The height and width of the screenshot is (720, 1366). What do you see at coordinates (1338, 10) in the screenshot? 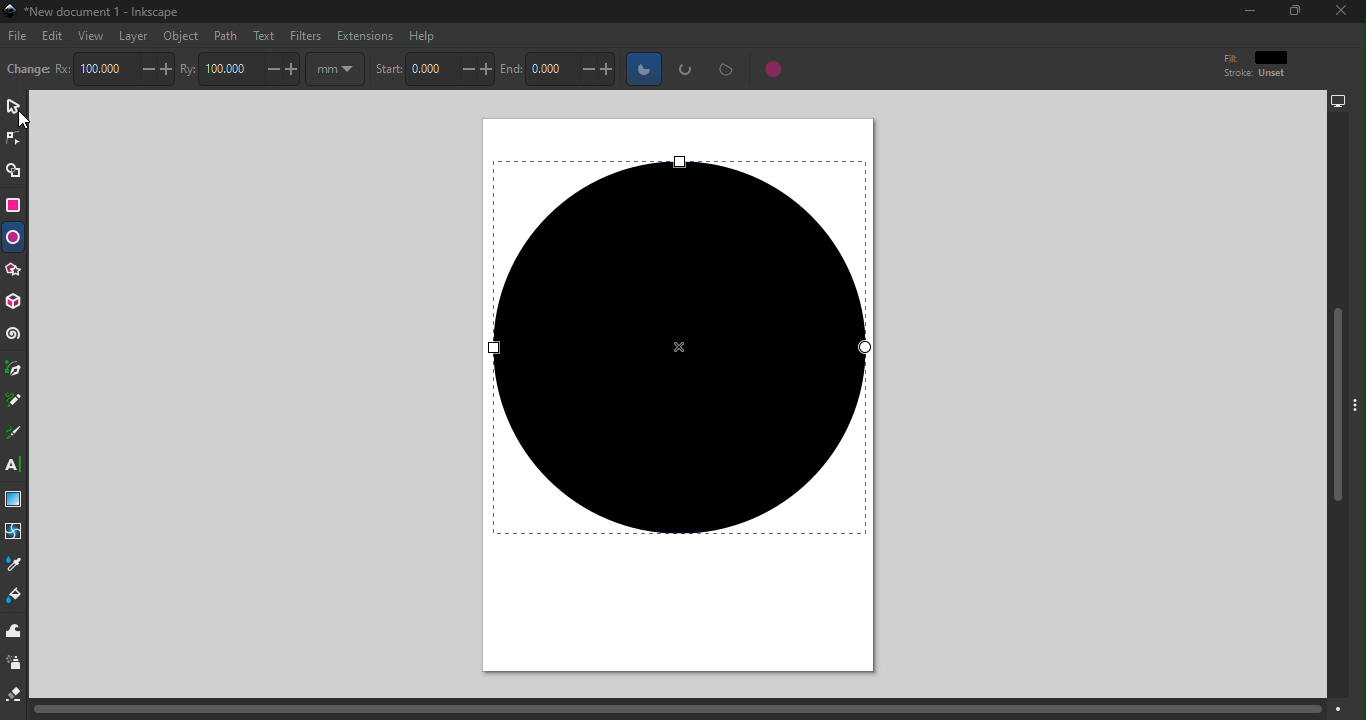
I see `Close` at bounding box center [1338, 10].